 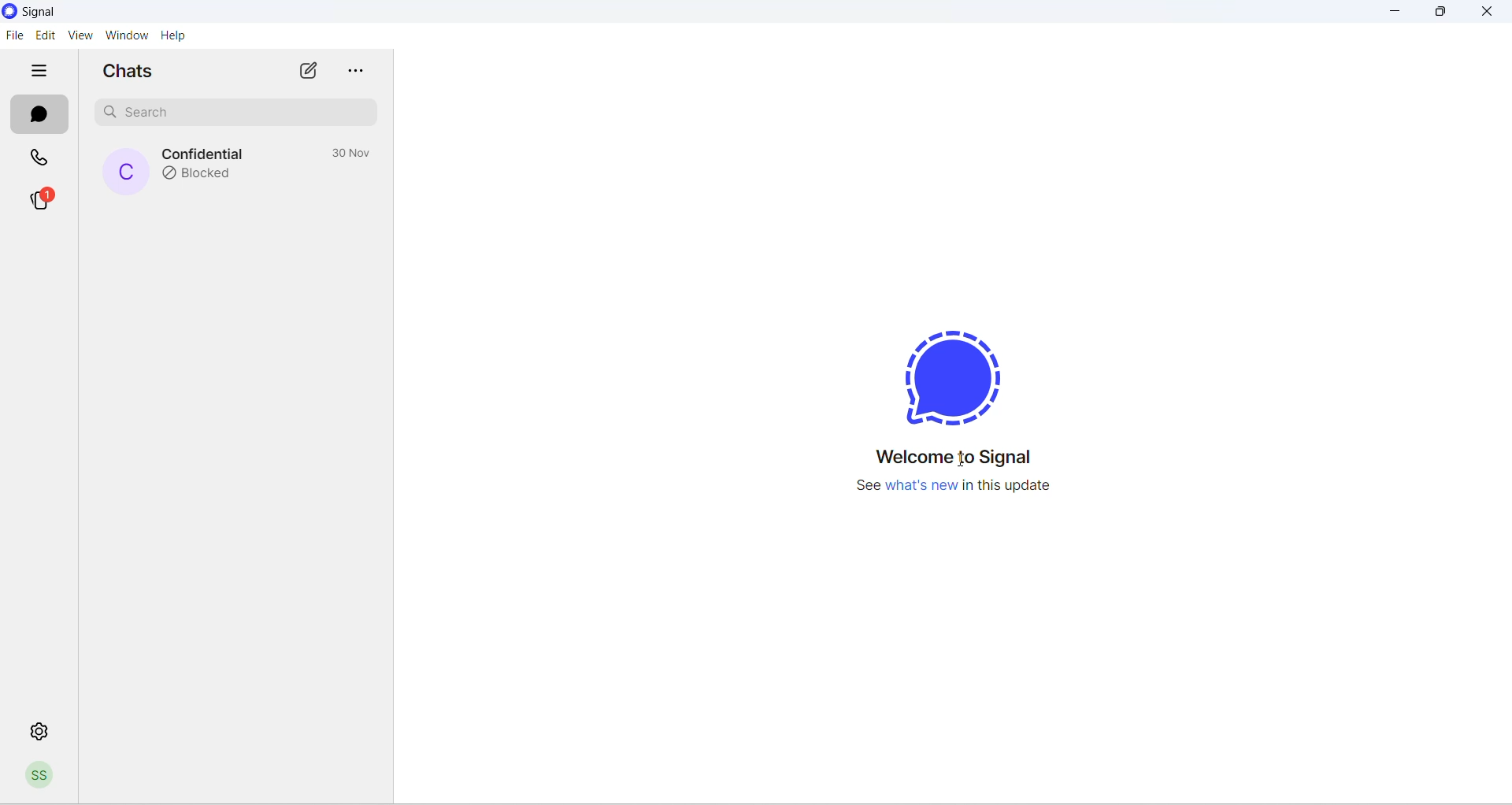 What do you see at coordinates (36, 69) in the screenshot?
I see `hide tabs` at bounding box center [36, 69].